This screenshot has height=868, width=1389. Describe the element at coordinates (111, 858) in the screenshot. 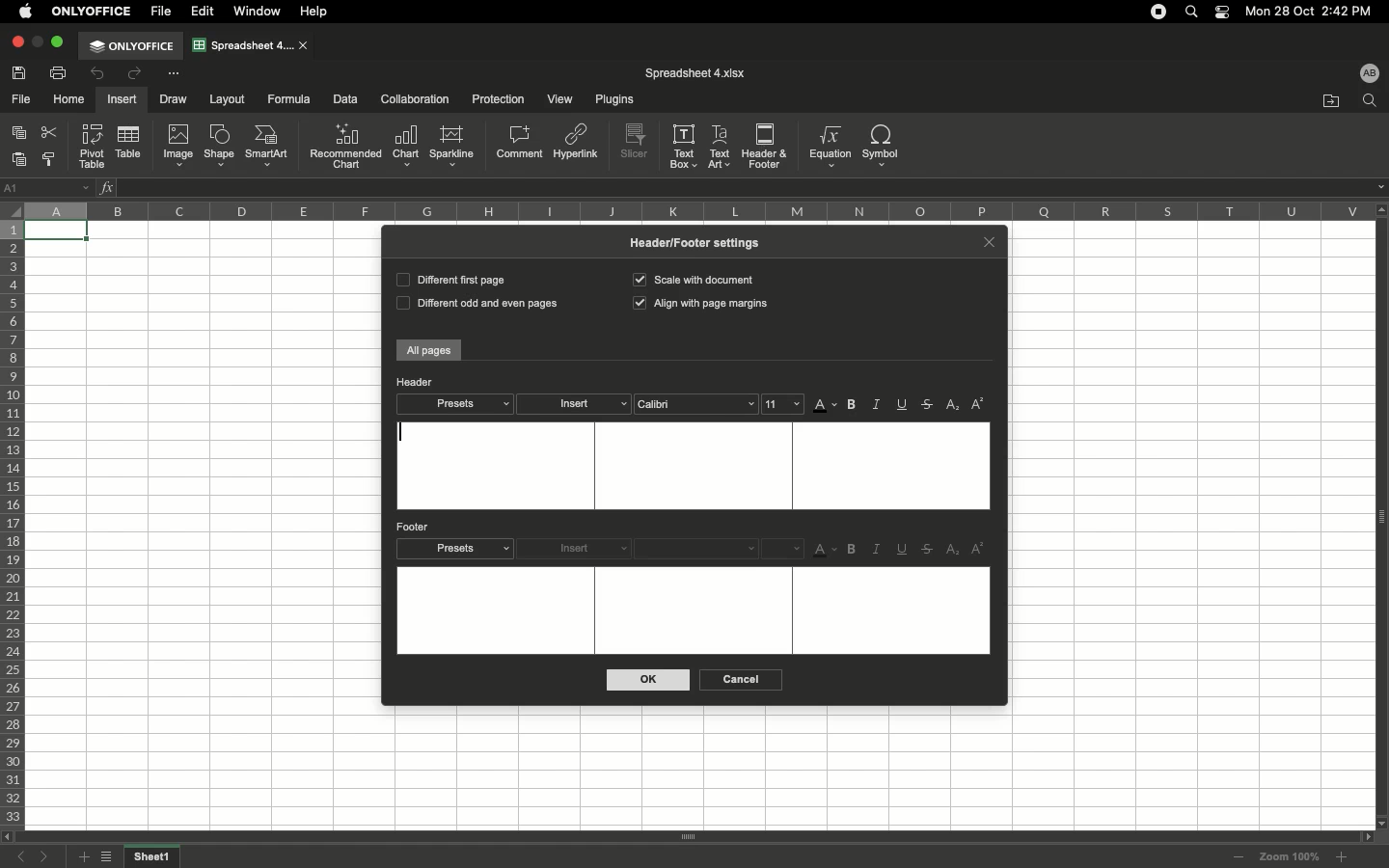

I see `List of sheets` at that location.